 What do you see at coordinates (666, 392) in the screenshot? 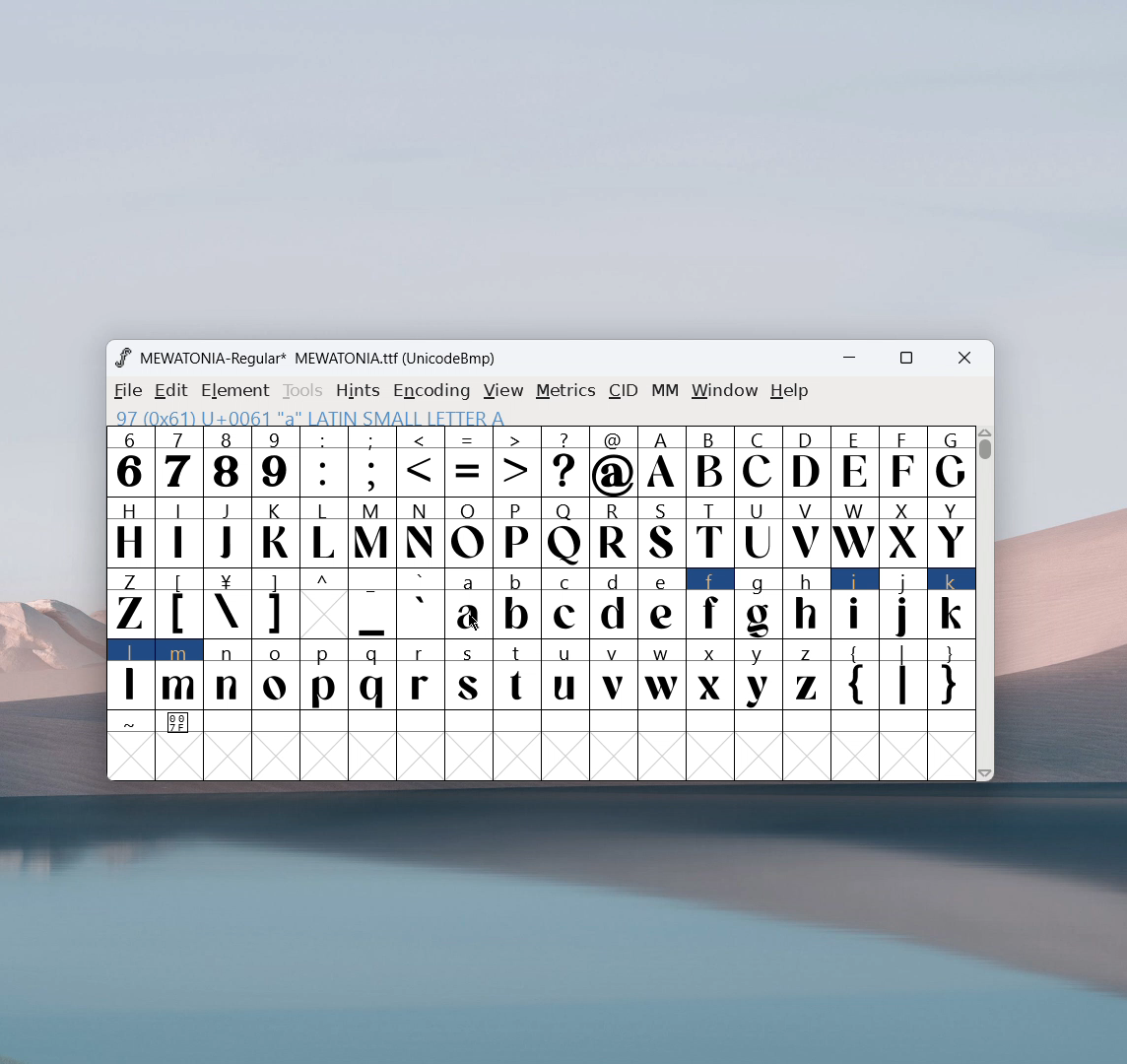
I see `MM` at bounding box center [666, 392].